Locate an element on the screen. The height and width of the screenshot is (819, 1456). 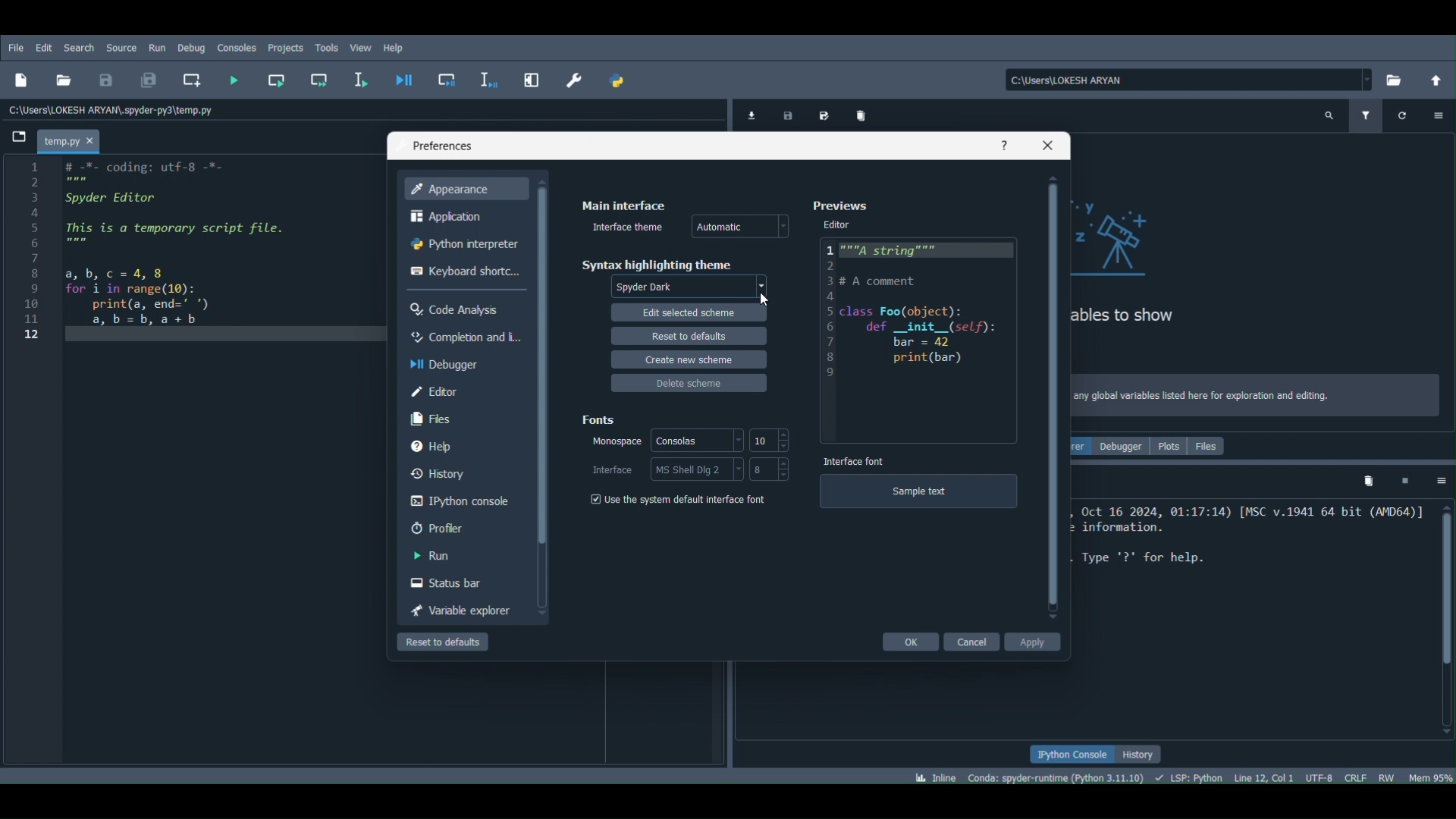
Debug is located at coordinates (190, 45).